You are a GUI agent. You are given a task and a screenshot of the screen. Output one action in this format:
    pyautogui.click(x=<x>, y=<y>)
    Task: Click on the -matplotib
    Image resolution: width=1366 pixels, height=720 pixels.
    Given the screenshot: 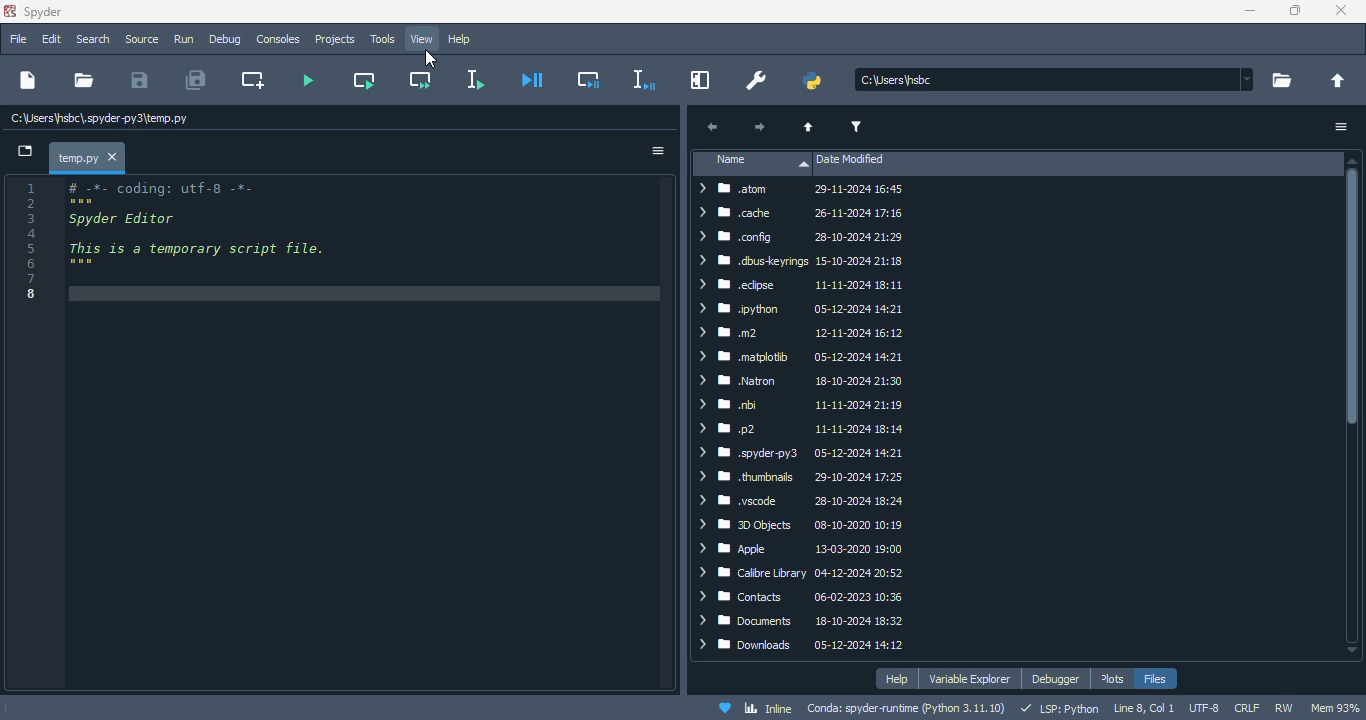 What is the action you would take?
    pyautogui.click(x=801, y=355)
    